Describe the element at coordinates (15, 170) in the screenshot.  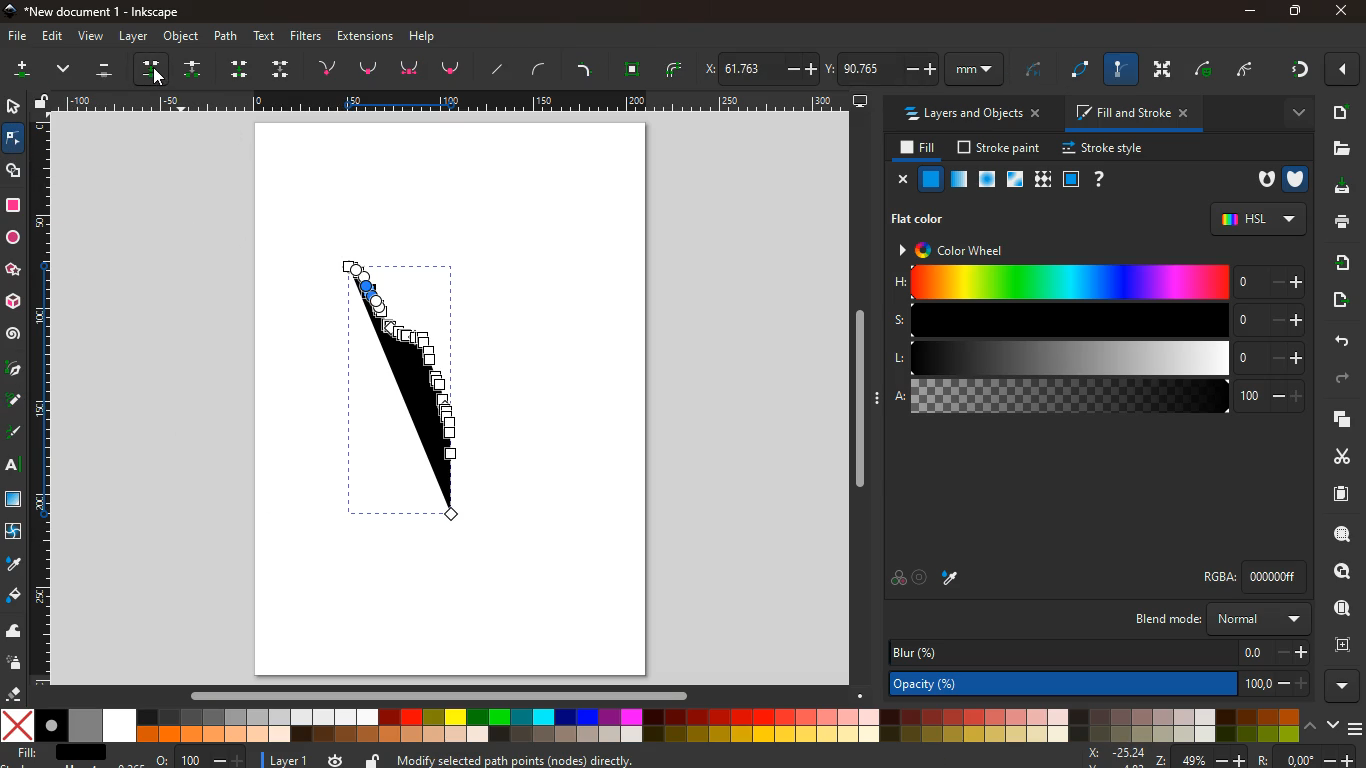
I see `shape` at that location.